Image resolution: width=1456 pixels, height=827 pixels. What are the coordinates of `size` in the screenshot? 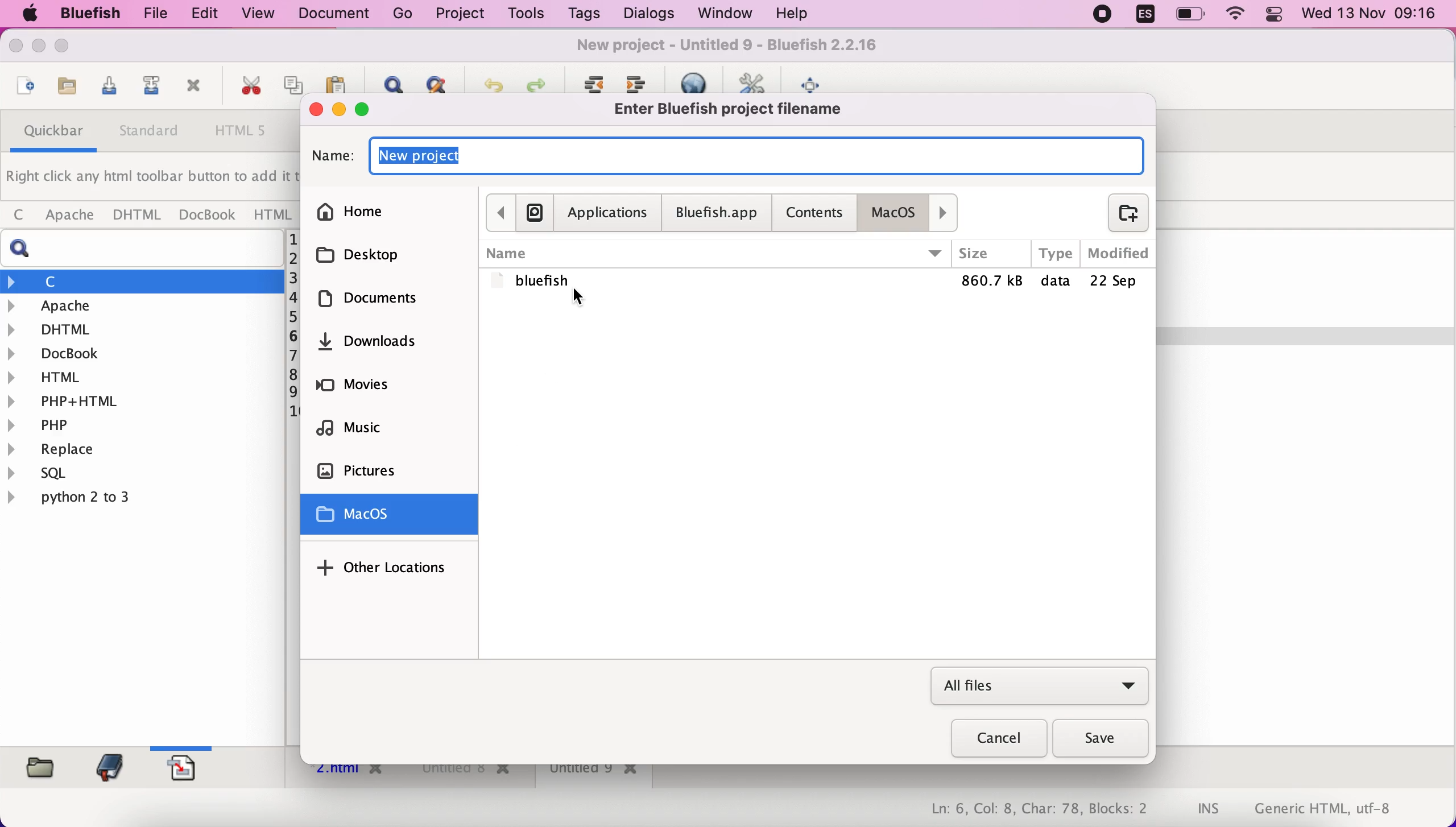 It's located at (991, 255).